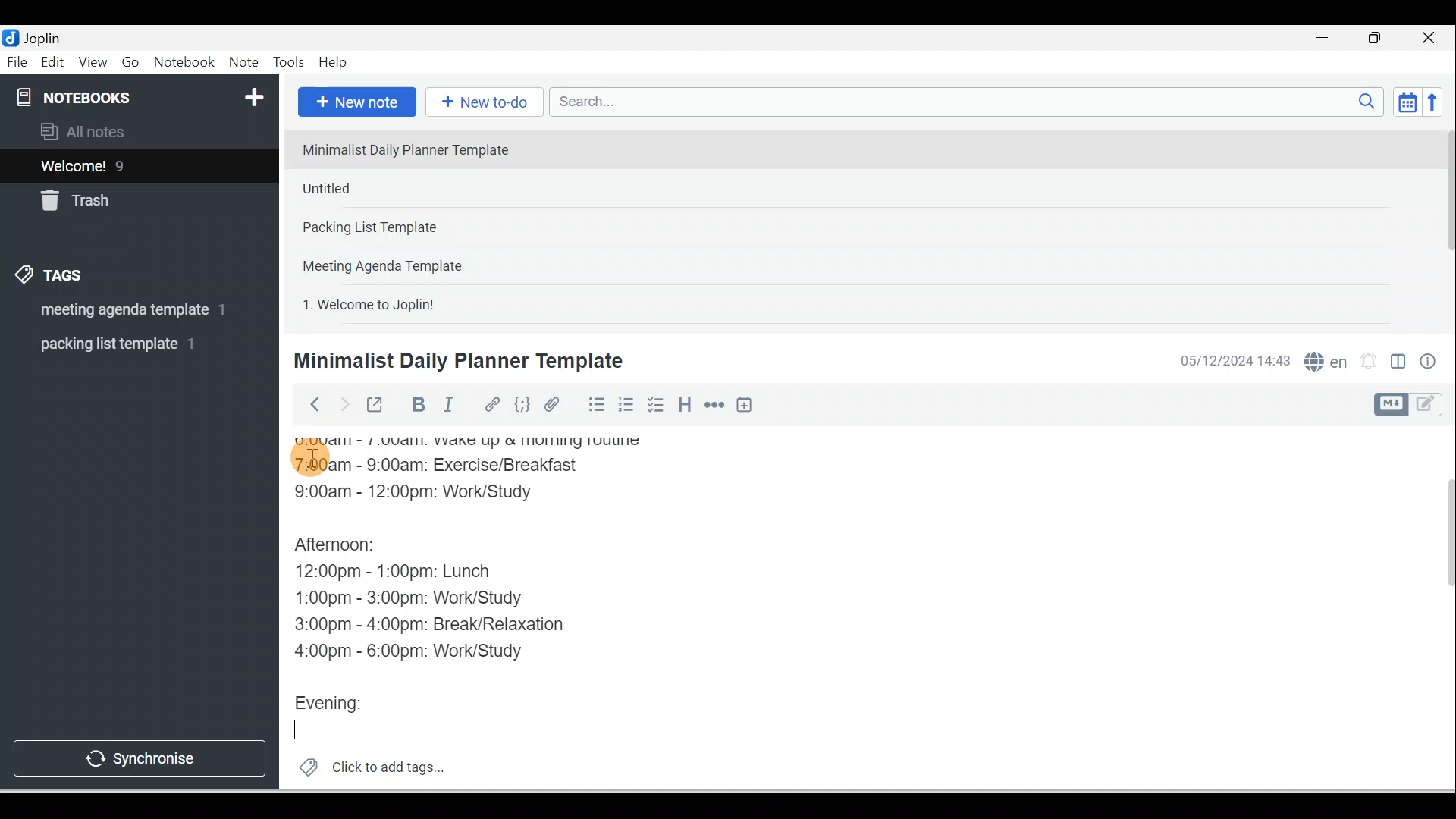 Image resolution: width=1456 pixels, height=819 pixels. I want to click on Back, so click(308, 404).